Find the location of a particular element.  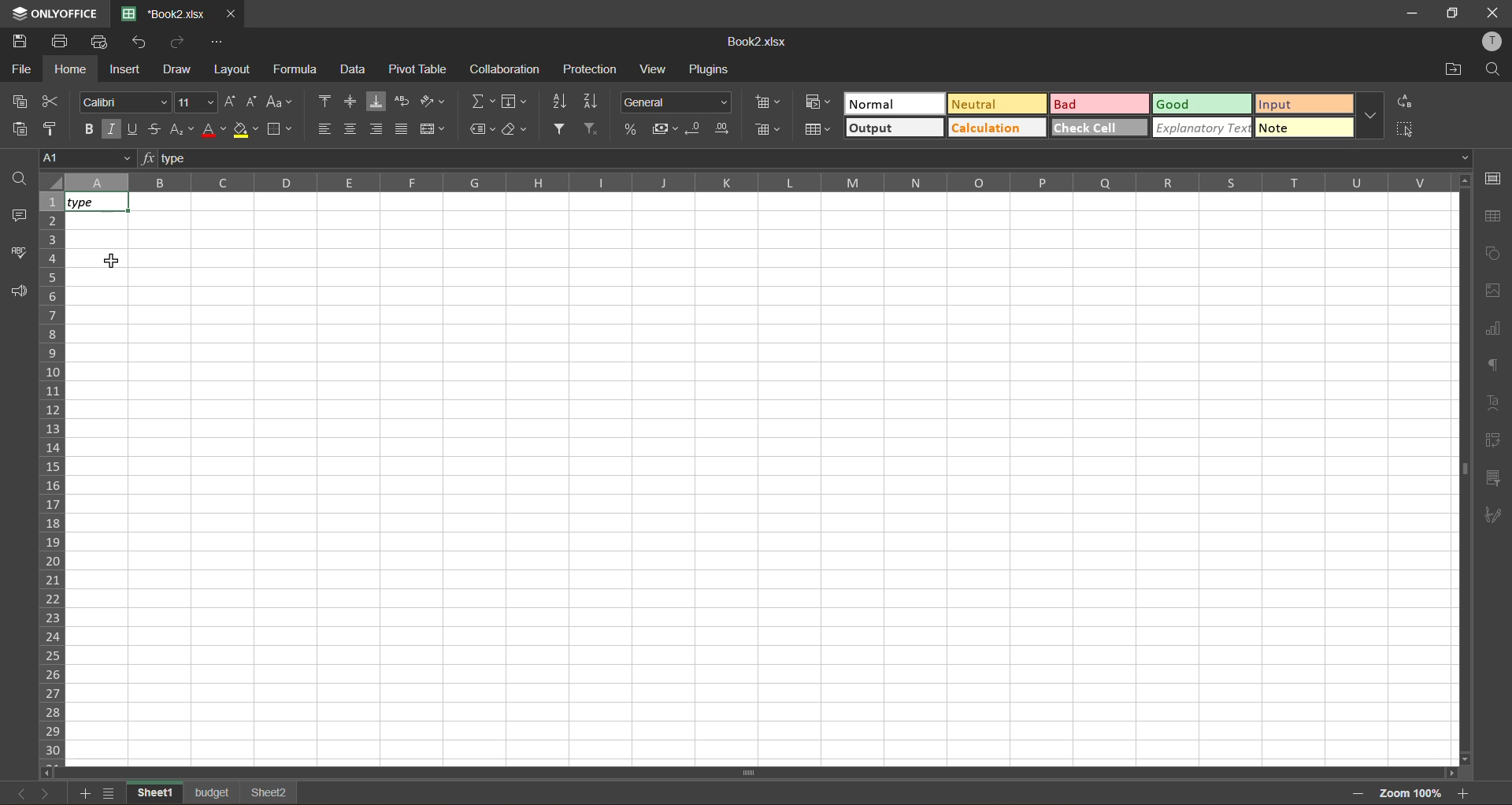

Book2.xlsx is located at coordinates (756, 44).